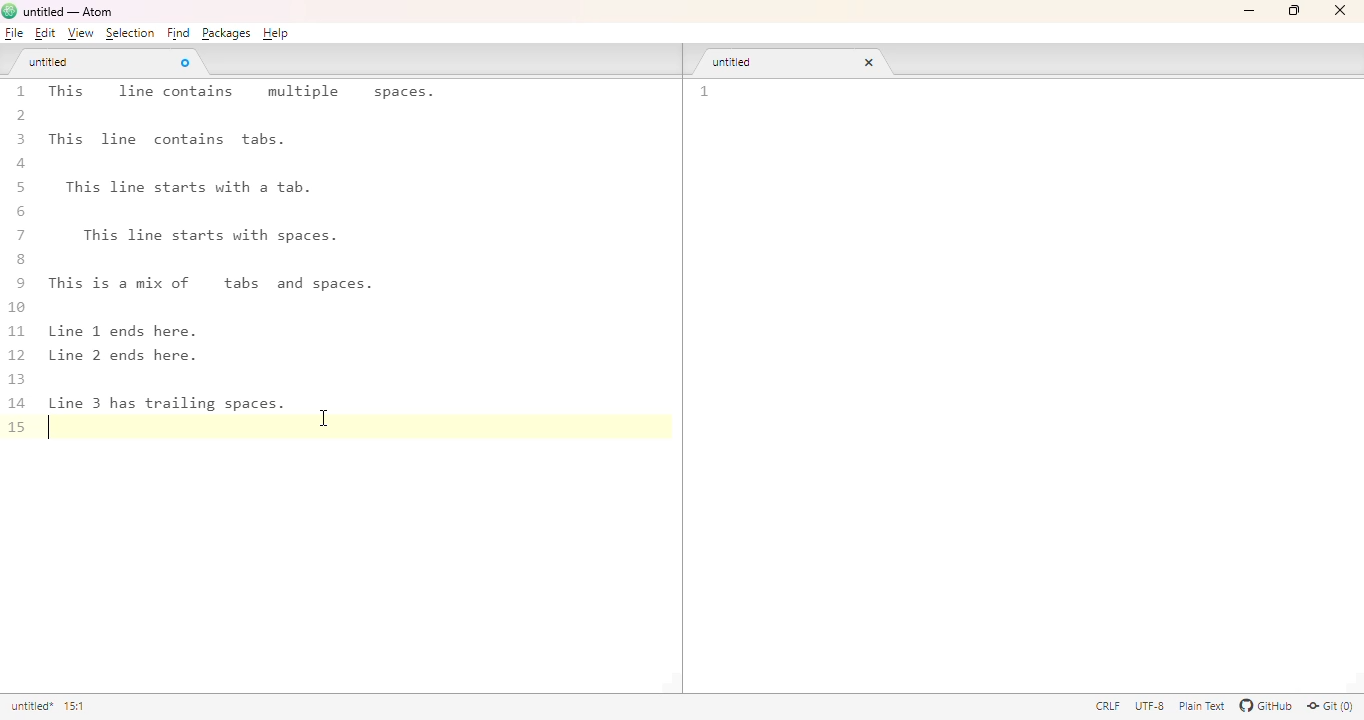 This screenshot has width=1364, height=720. Describe the element at coordinates (277, 33) in the screenshot. I see `help` at that location.